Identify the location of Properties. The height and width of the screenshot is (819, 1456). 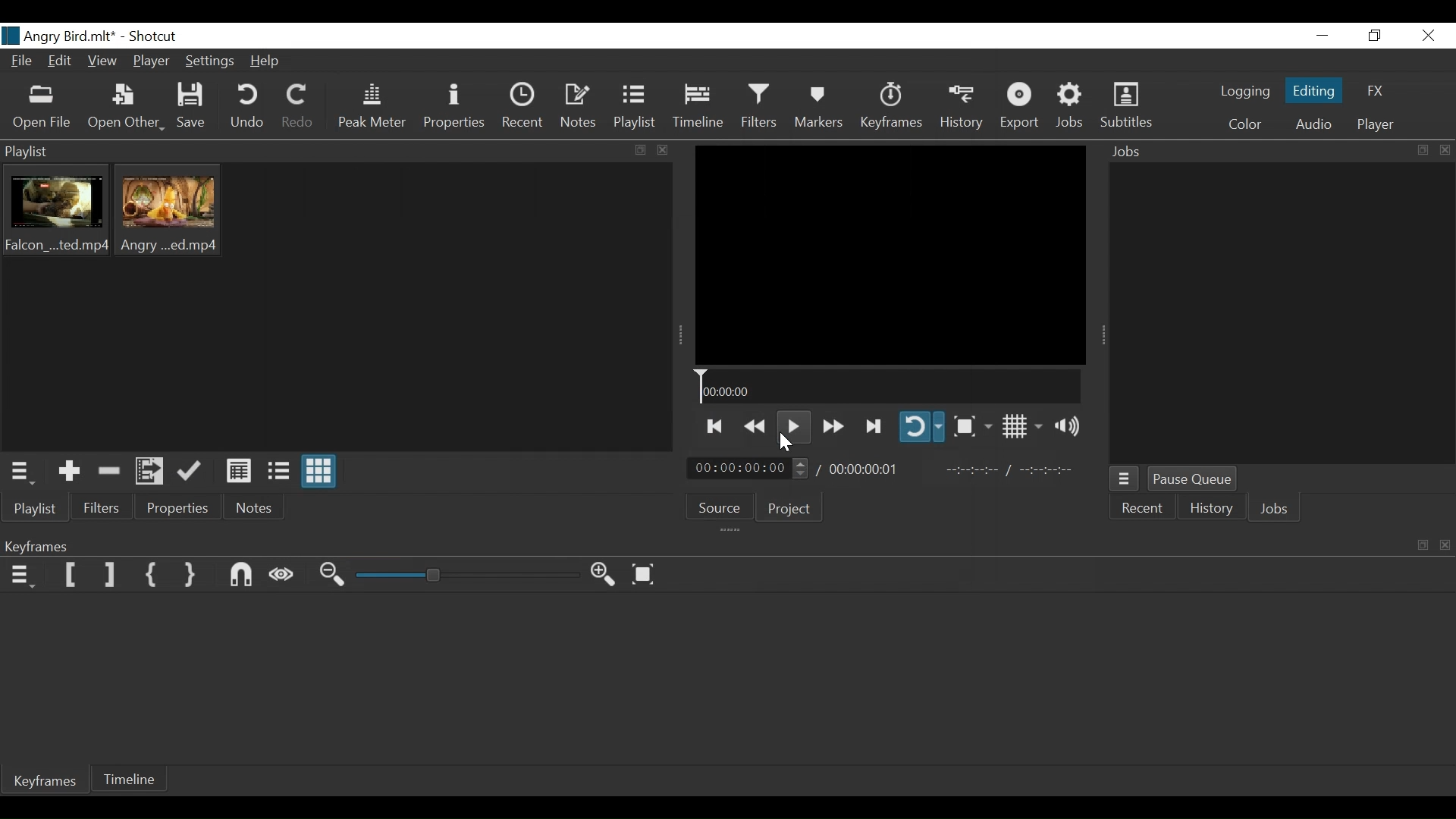
(457, 108).